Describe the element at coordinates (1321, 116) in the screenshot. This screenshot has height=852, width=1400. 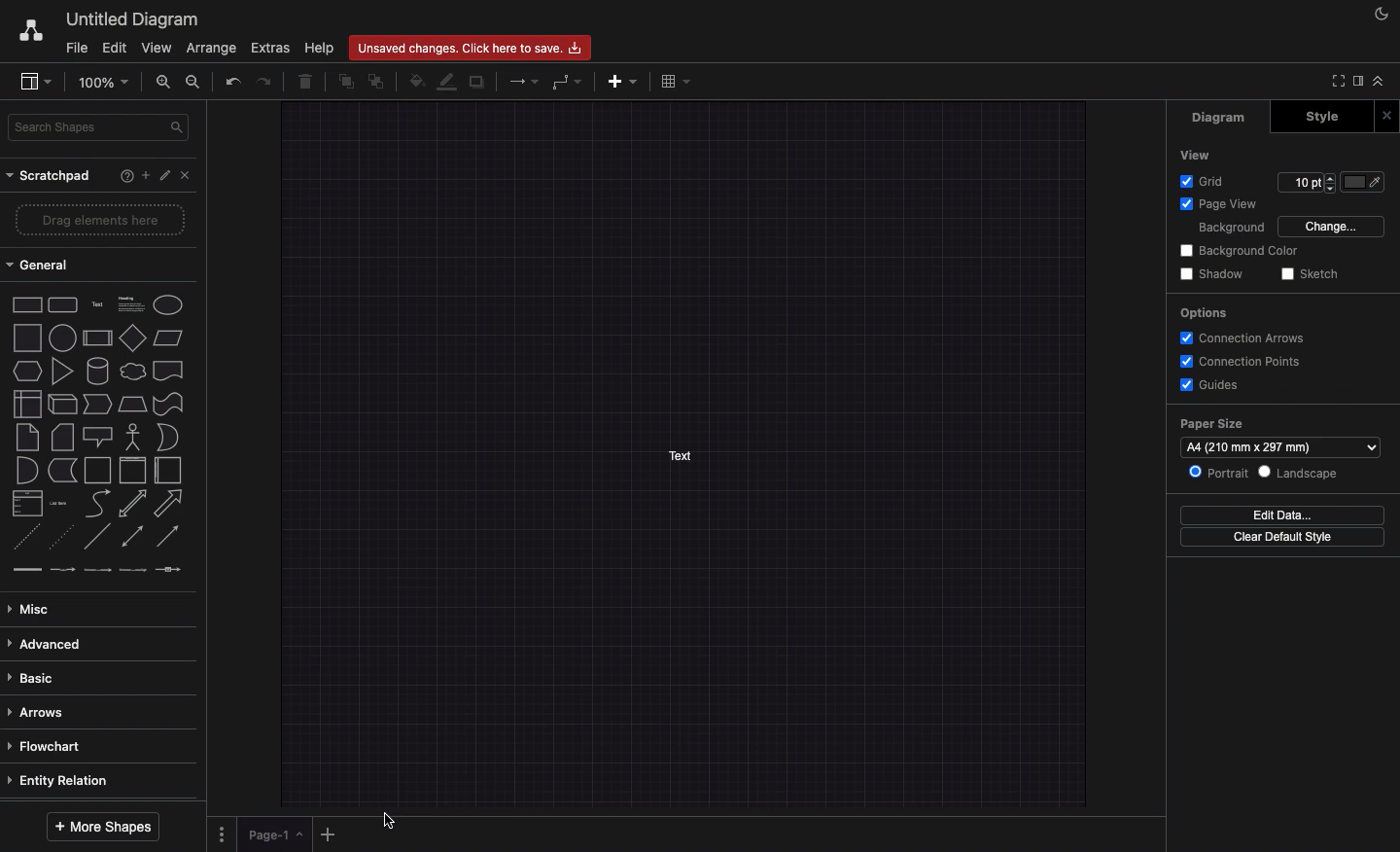
I see `Style` at that location.